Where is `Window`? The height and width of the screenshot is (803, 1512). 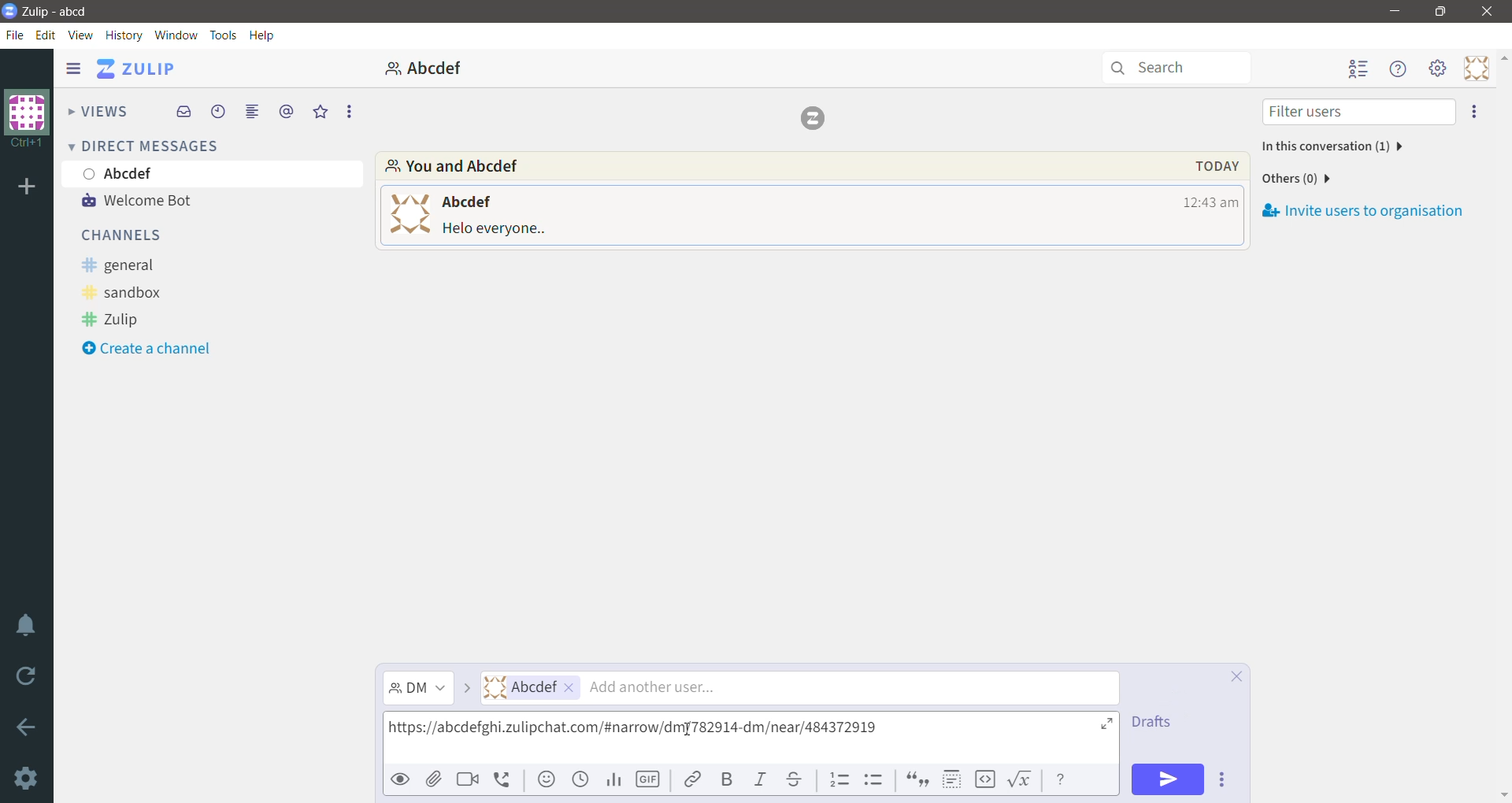 Window is located at coordinates (176, 35).